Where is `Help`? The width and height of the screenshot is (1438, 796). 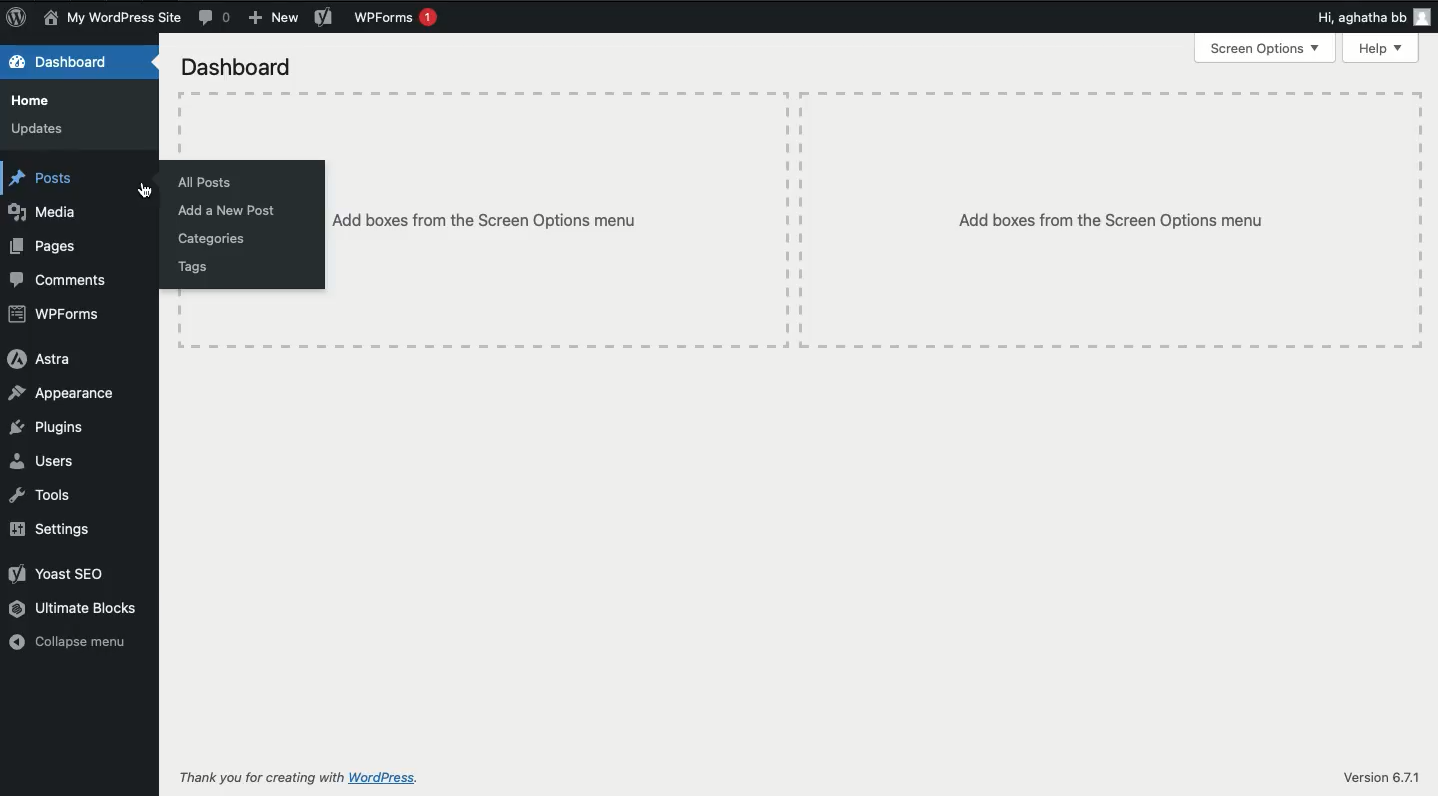 Help is located at coordinates (1380, 49).